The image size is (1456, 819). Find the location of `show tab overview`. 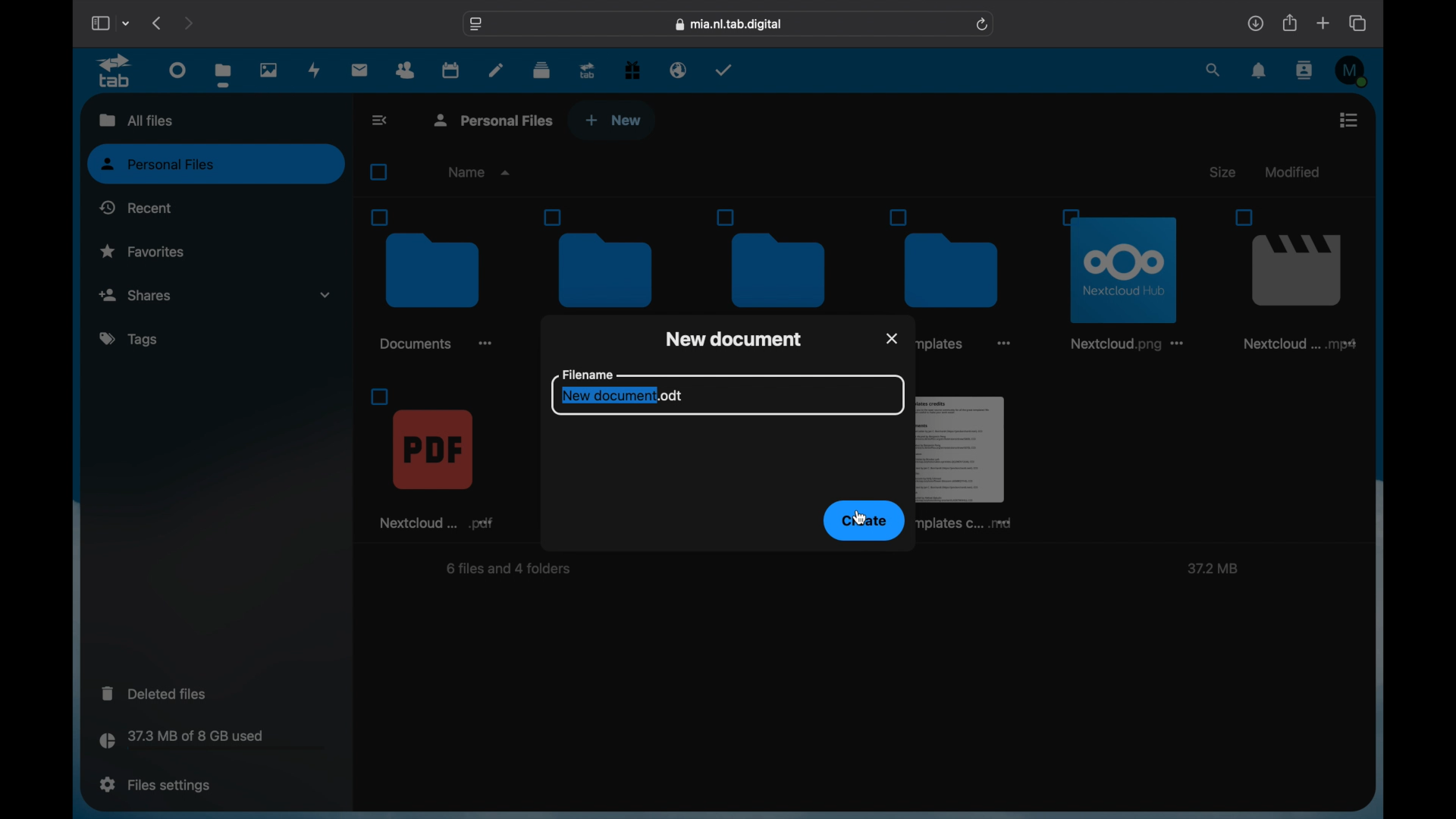

show tab overview is located at coordinates (1359, 23).